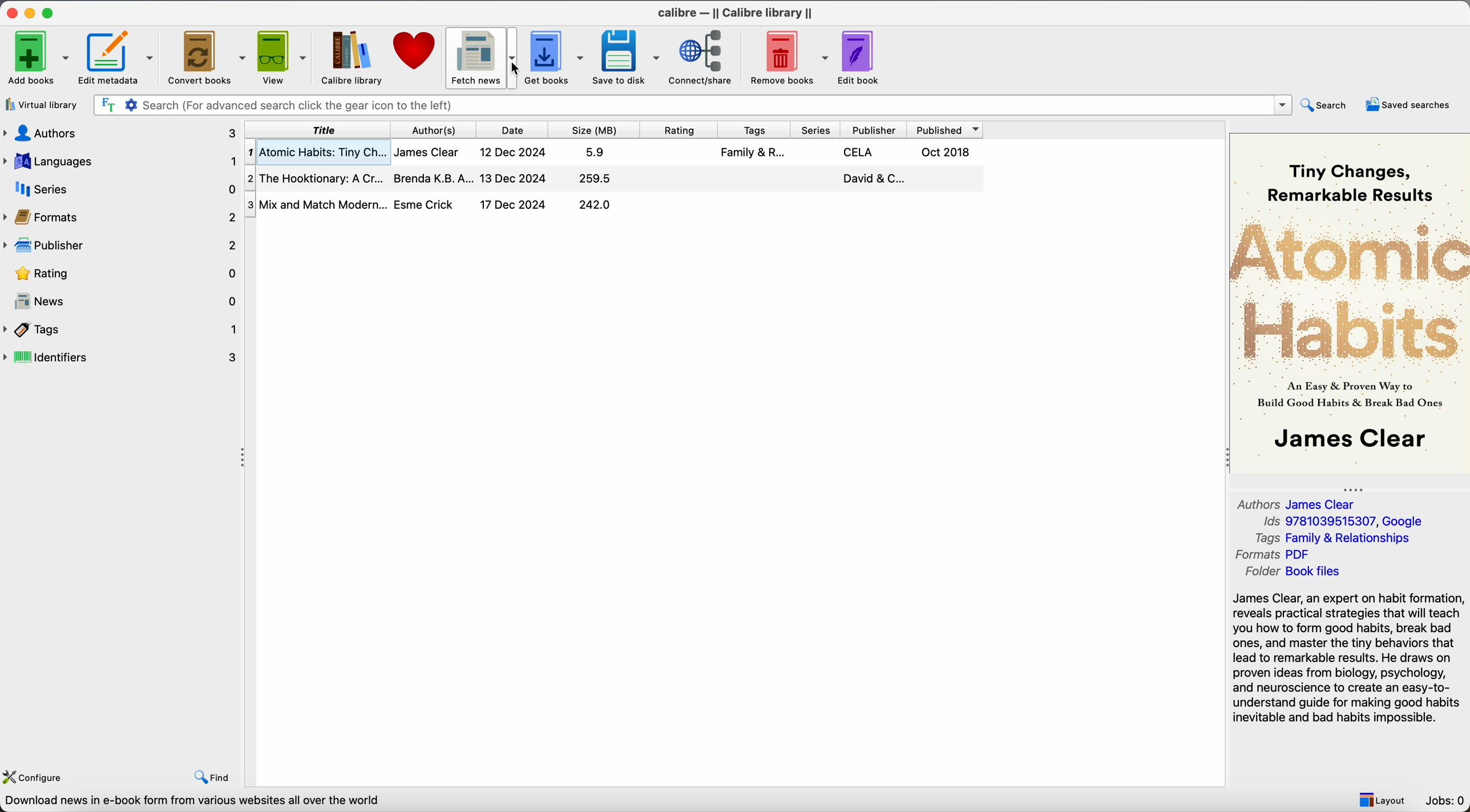 Image resolution: width=1470 pixels, height=812 pixels. Describe the element at coordinates (122, 188) in the screenshot. I see `series` at that location.